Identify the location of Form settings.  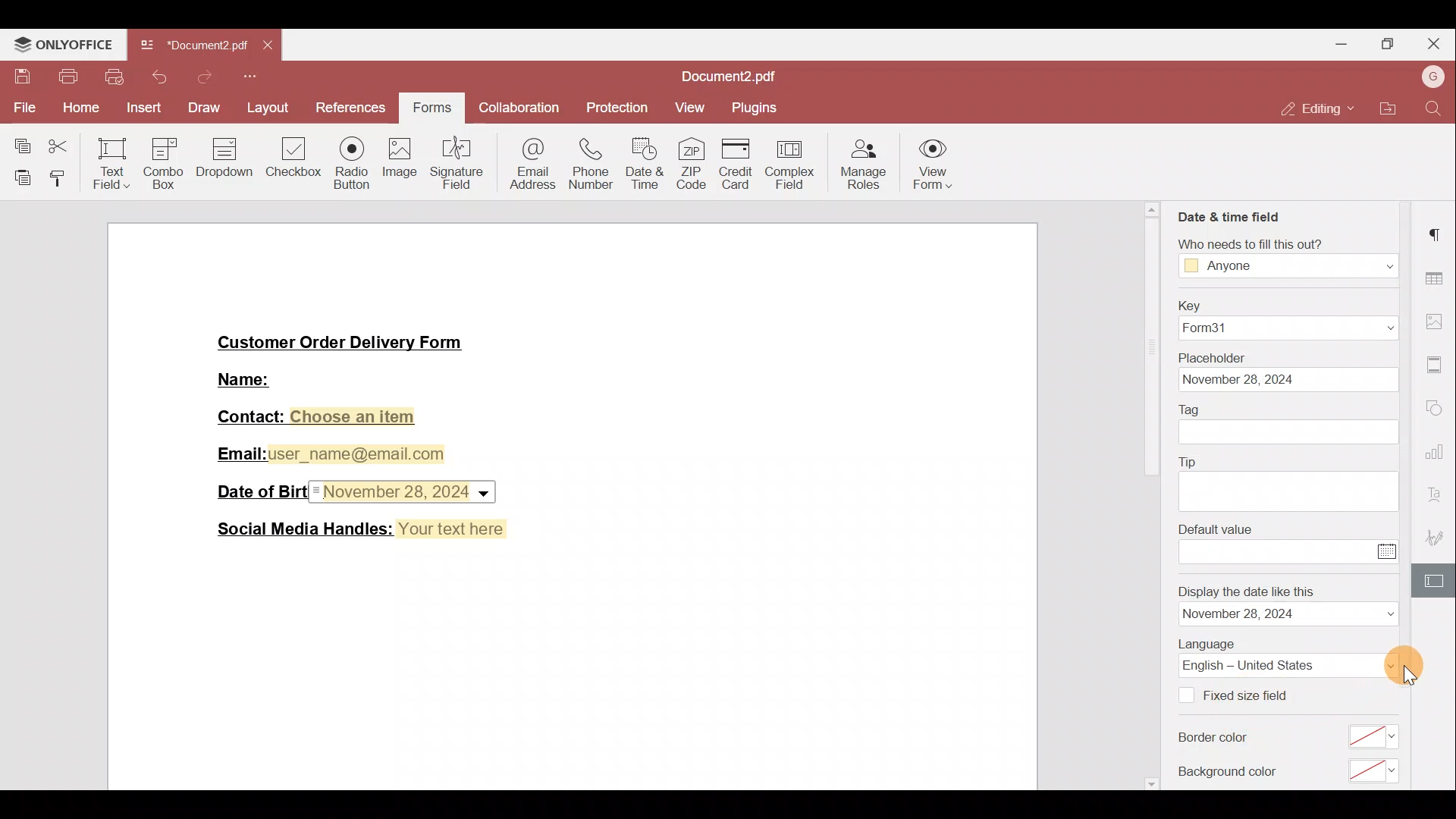
(1437, 583).